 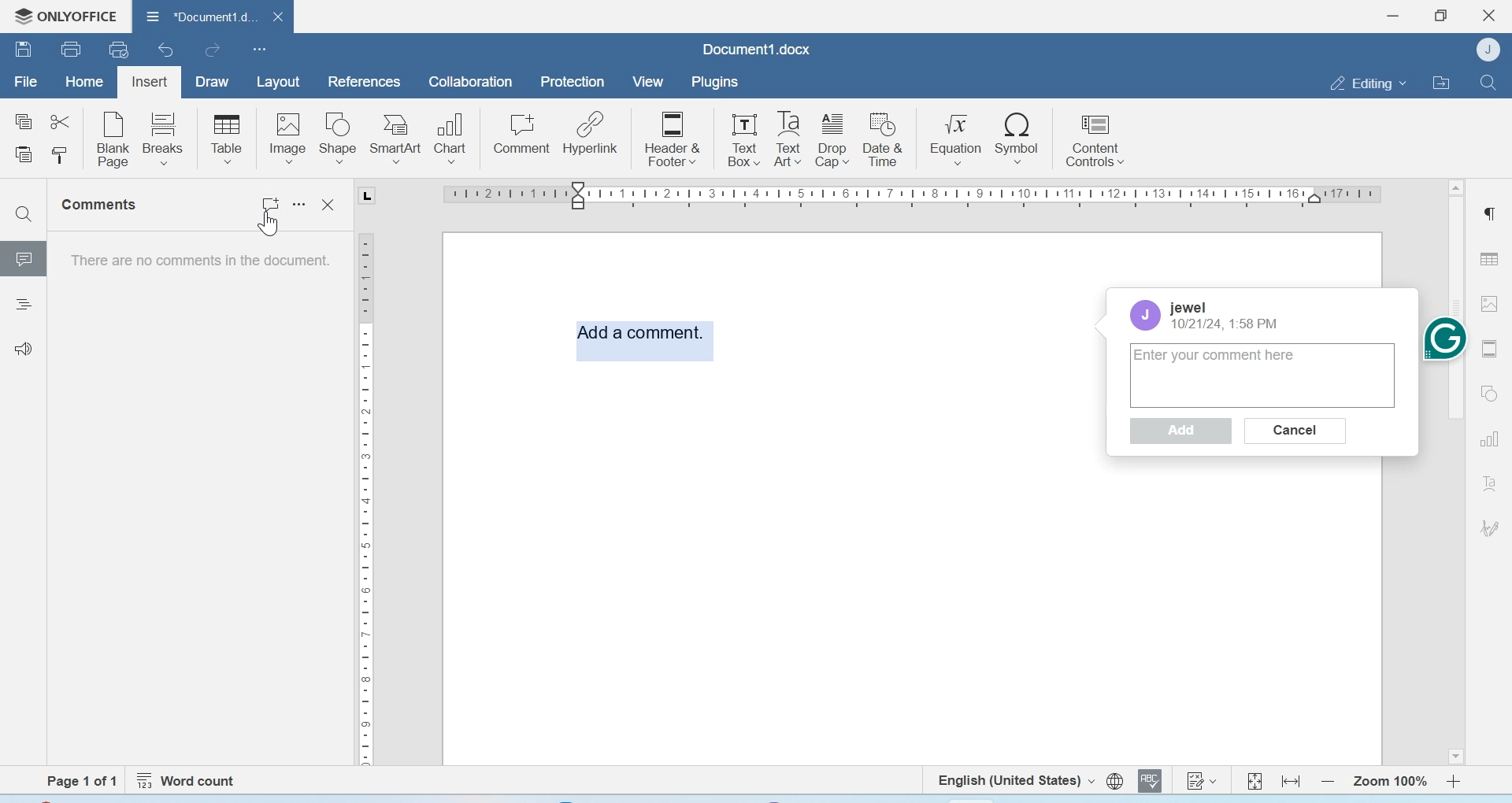 I want to click on jewel, so click(x=1190, y=305).